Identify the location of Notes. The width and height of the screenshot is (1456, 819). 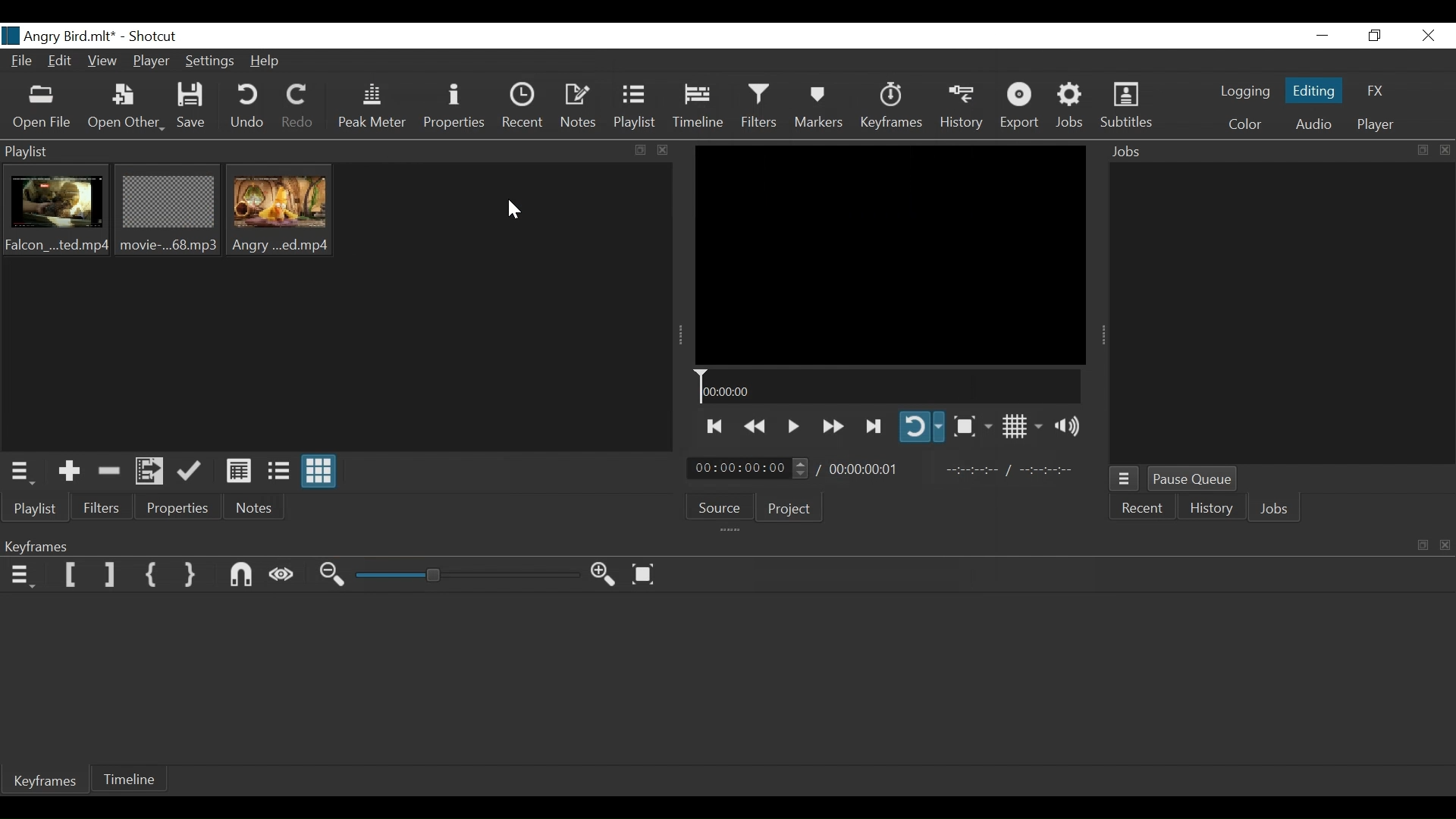
(582, 108).